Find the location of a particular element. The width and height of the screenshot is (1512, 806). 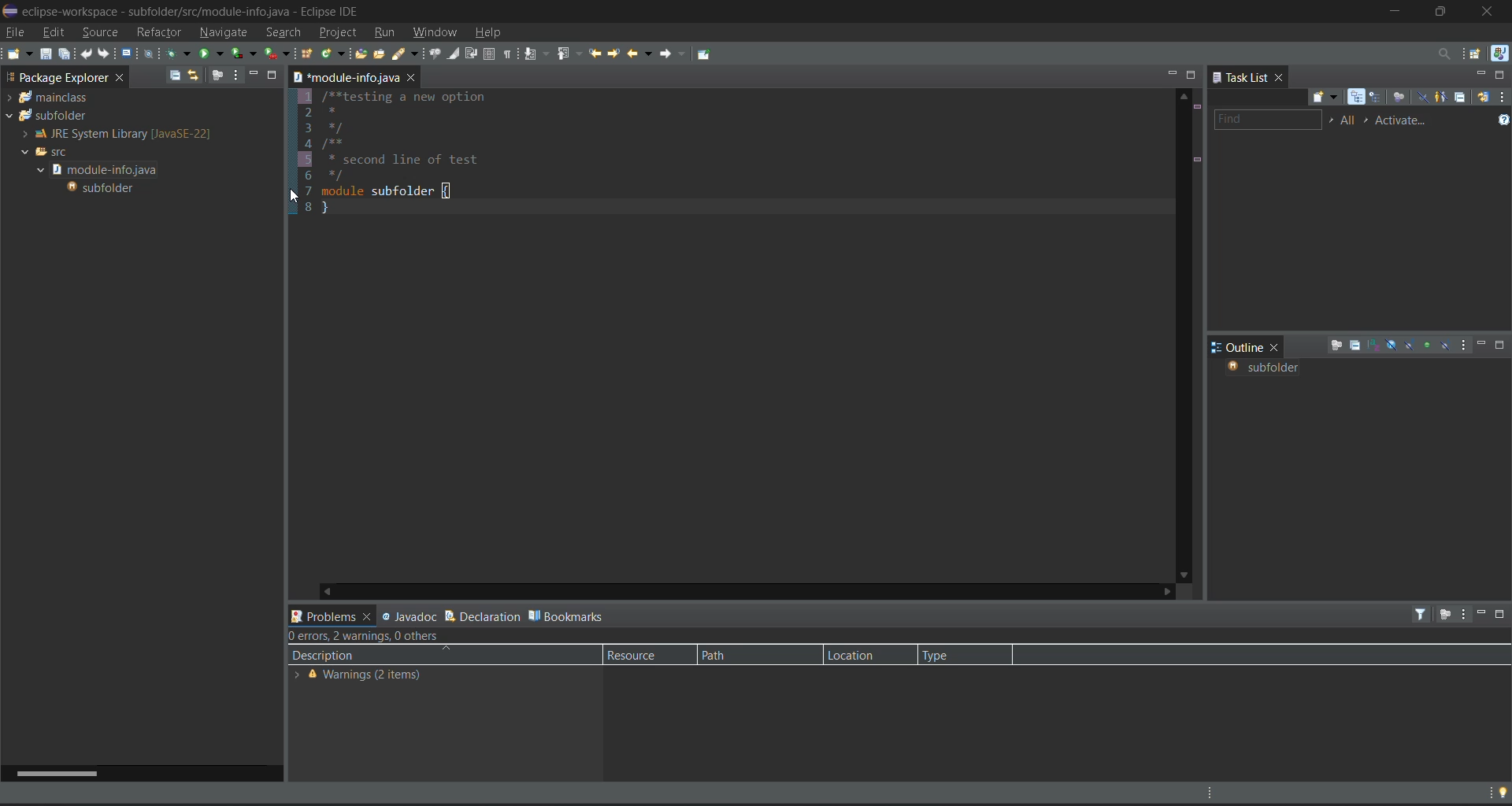

project is located at coordinates (338, 33).